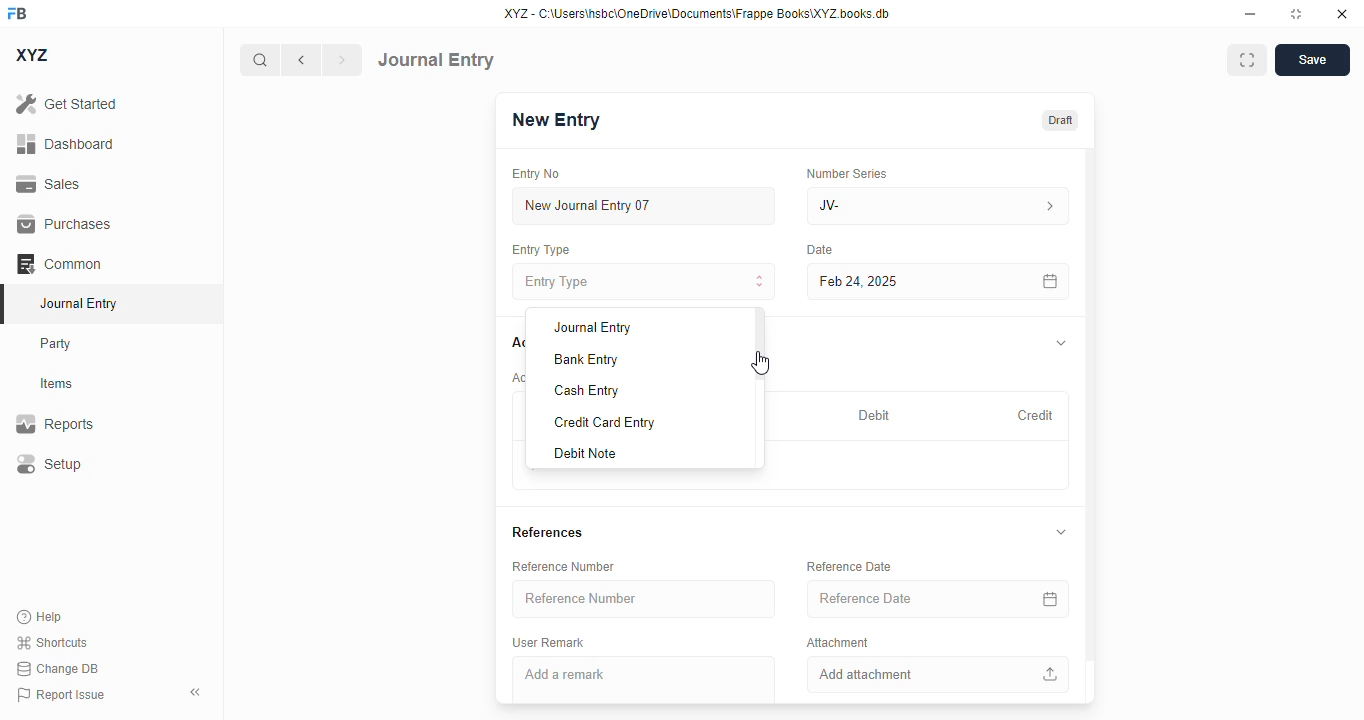  What do you see at coordinates (697, 14) in the screenshot?
I see `XYZ - C:\Users\hsbc\OneDrive\Documents\Frappe Books\XYZ books. db` at bounding box center [697, 14].